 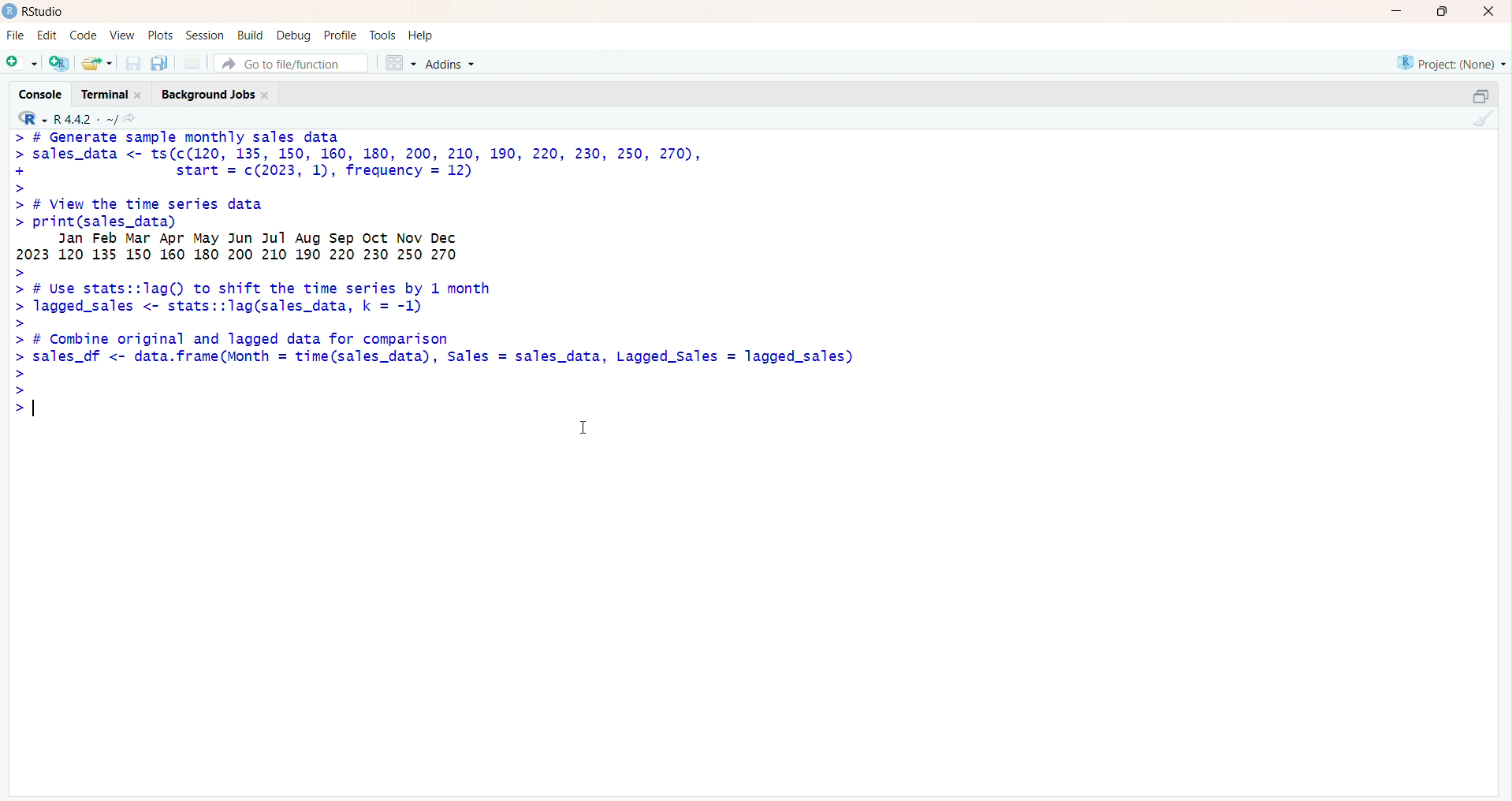 I want to click on addins, so click(x=453, y=63).